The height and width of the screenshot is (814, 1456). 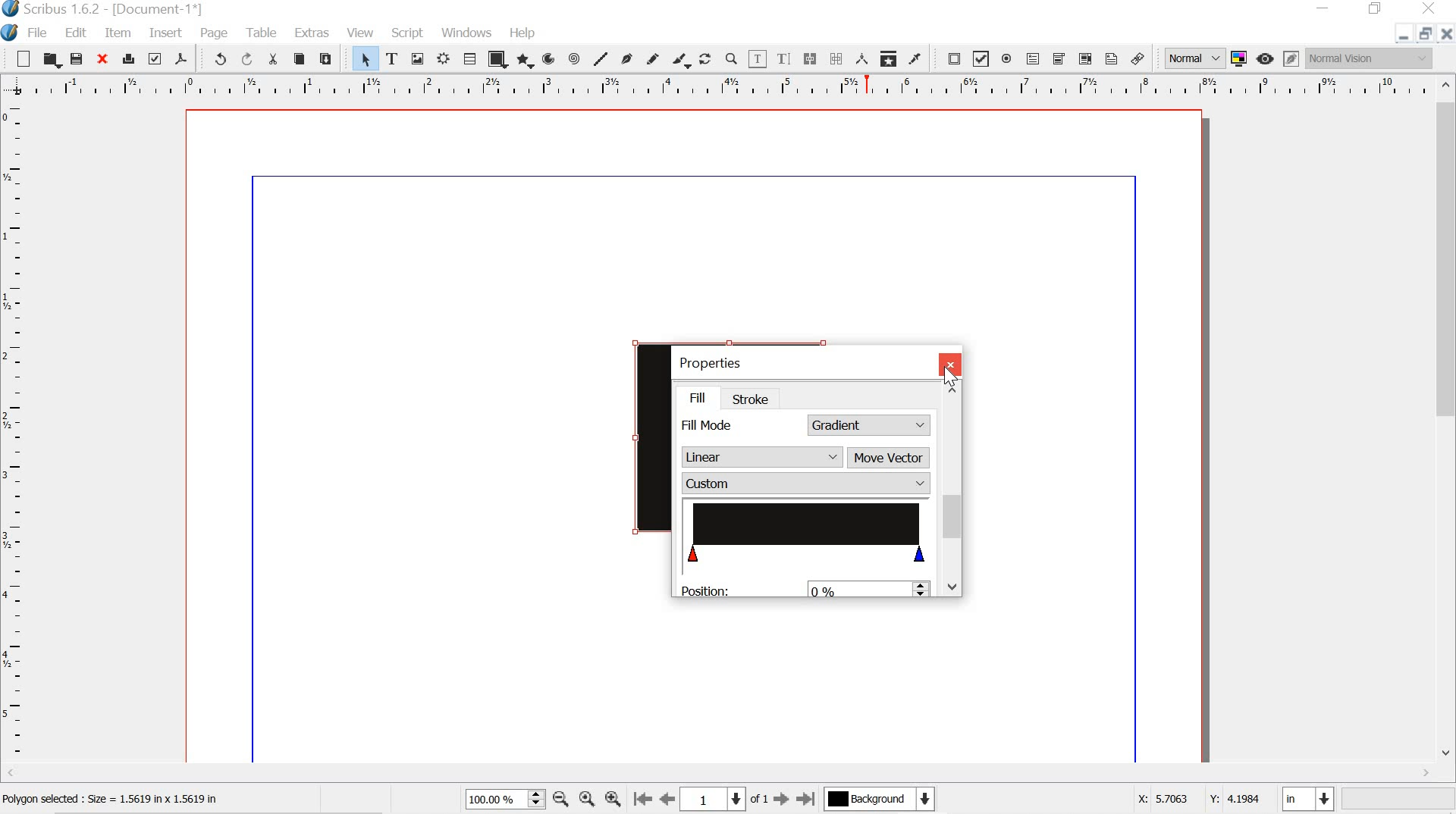 What do you see at coordinates (78, 32) in the screenshot?
I see `edit` at bounding box center [78, 32].